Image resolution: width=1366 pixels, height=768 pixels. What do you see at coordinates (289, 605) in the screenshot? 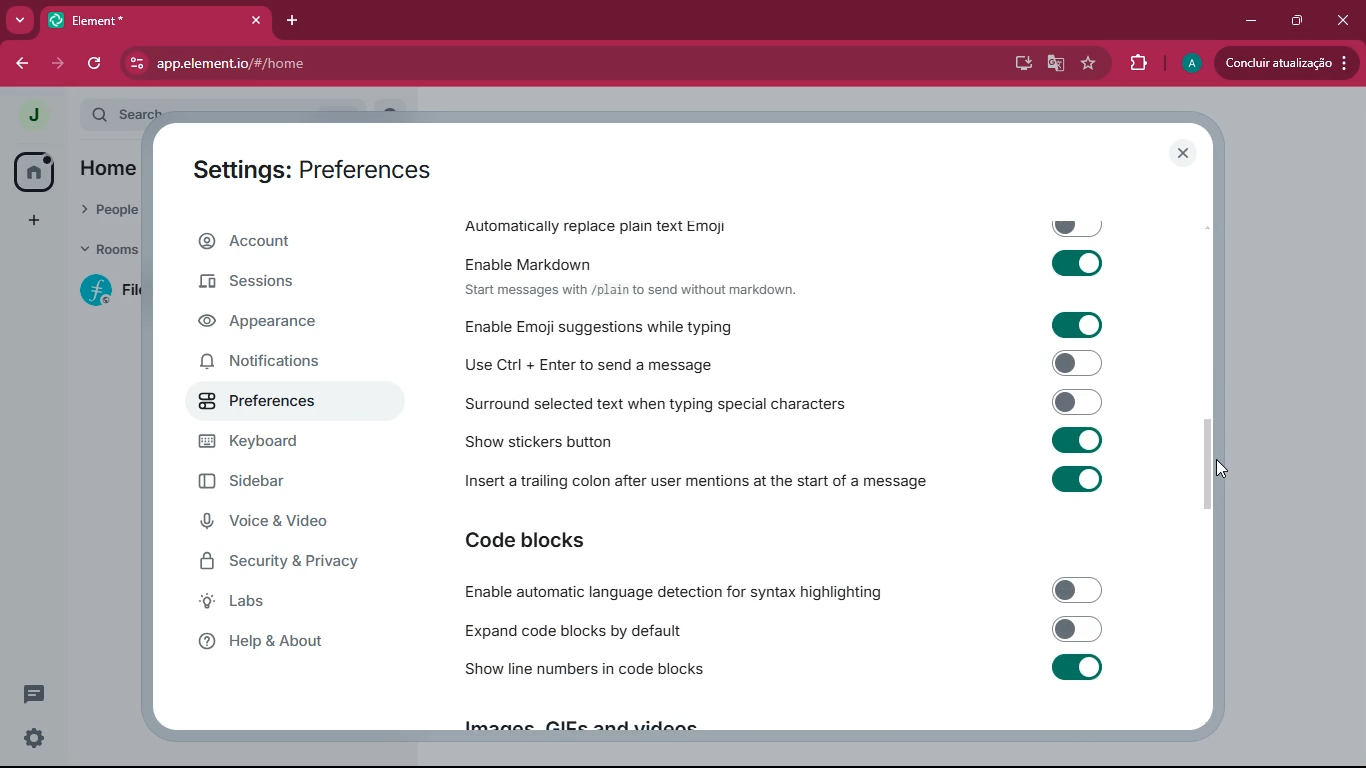
I see `labs` at bounding box center [289, 605].